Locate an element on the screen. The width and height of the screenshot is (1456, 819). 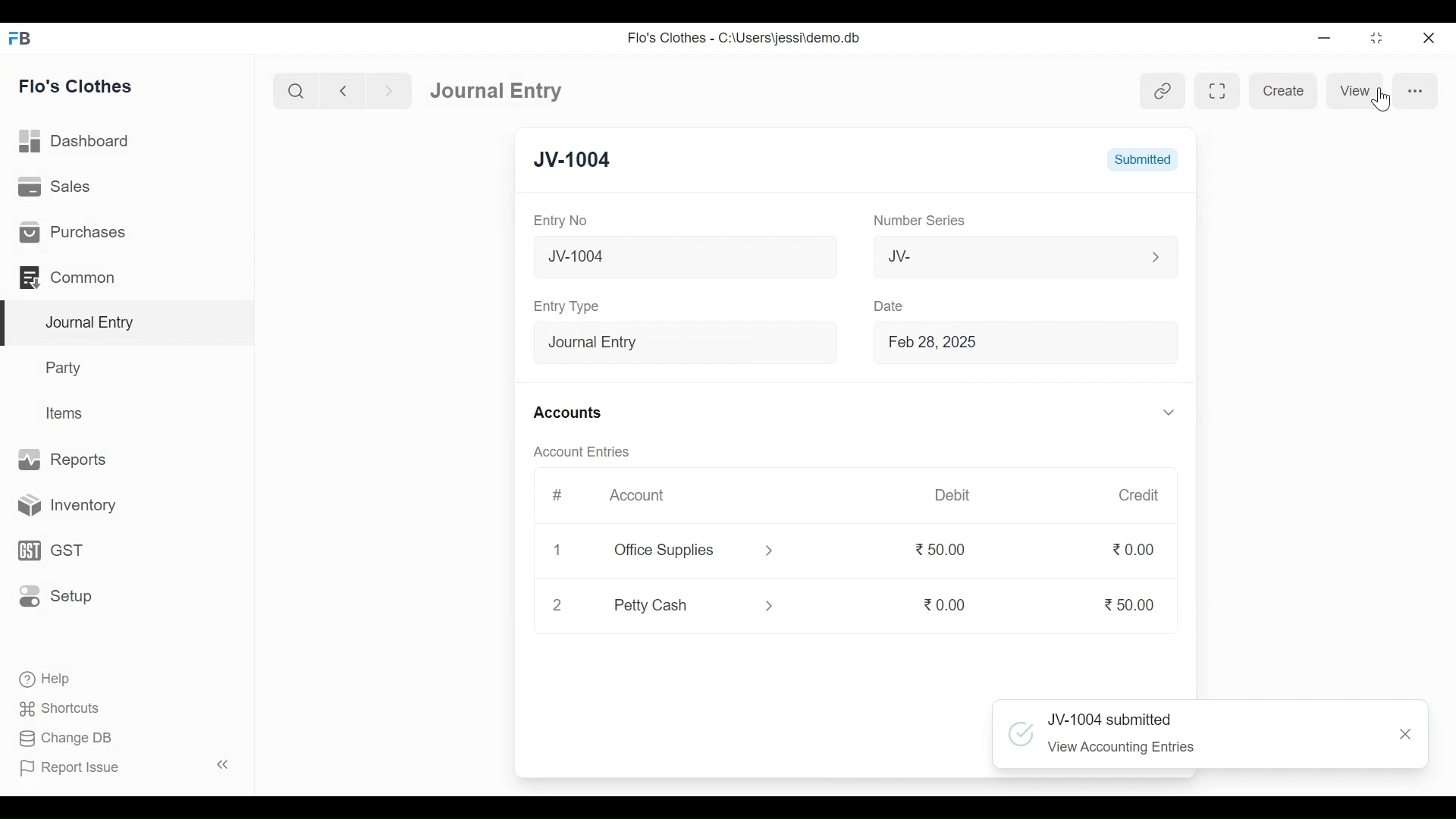
Create is located at coordinates (1285, 91).